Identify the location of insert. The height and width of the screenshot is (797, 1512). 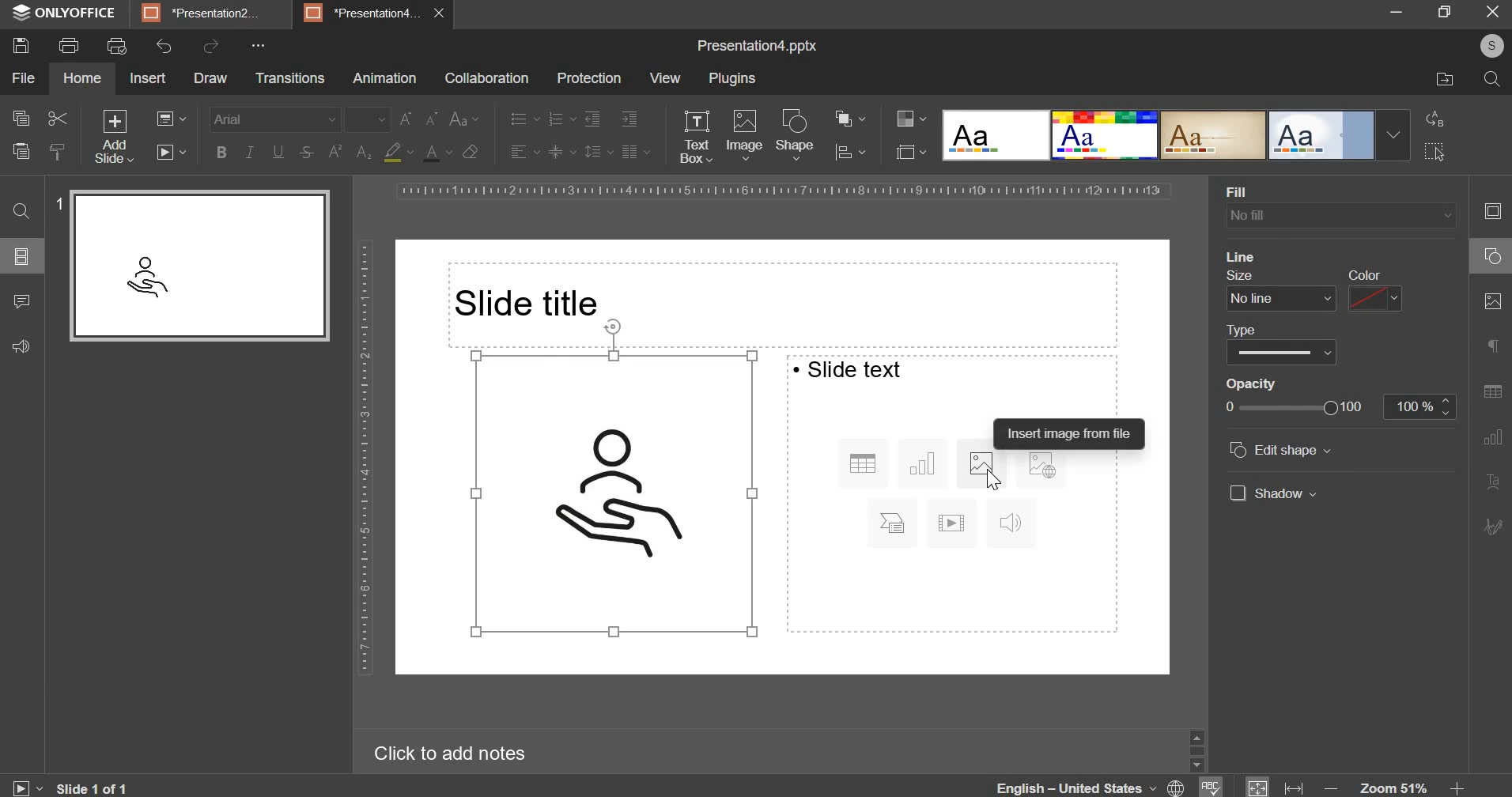
(148, 79).